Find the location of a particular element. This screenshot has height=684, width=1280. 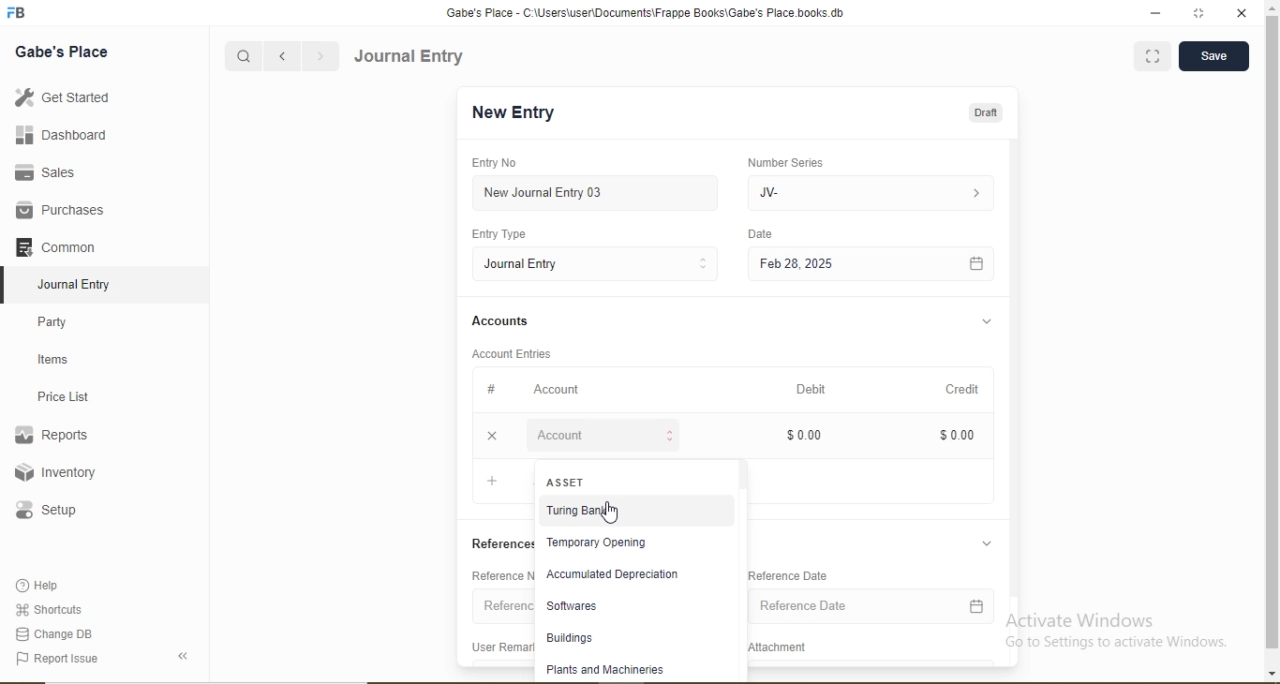

JV- is located at coordinates (773, 193).